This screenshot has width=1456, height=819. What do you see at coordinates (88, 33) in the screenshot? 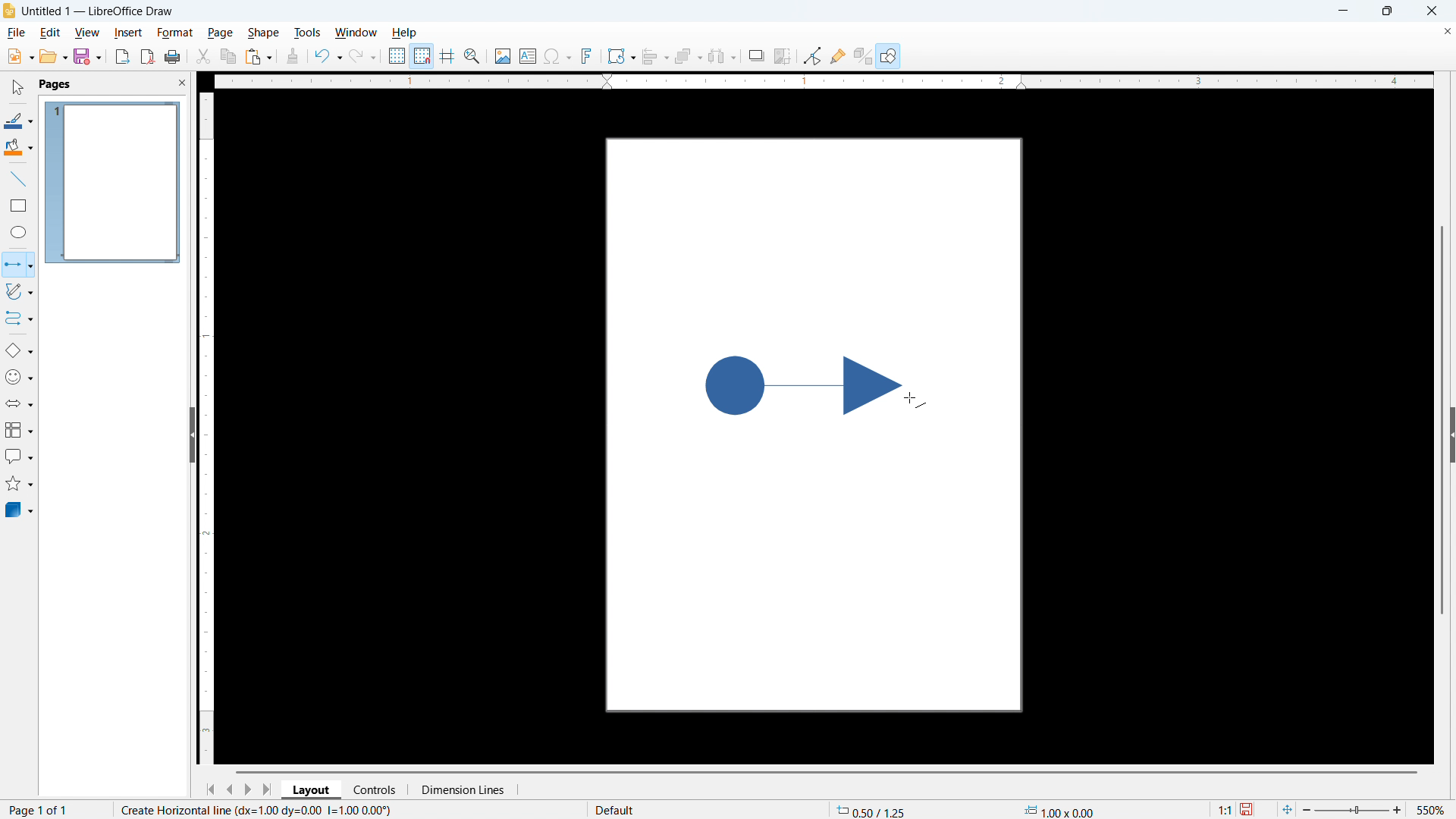
I see `View ` at bounding box center [88, 33].